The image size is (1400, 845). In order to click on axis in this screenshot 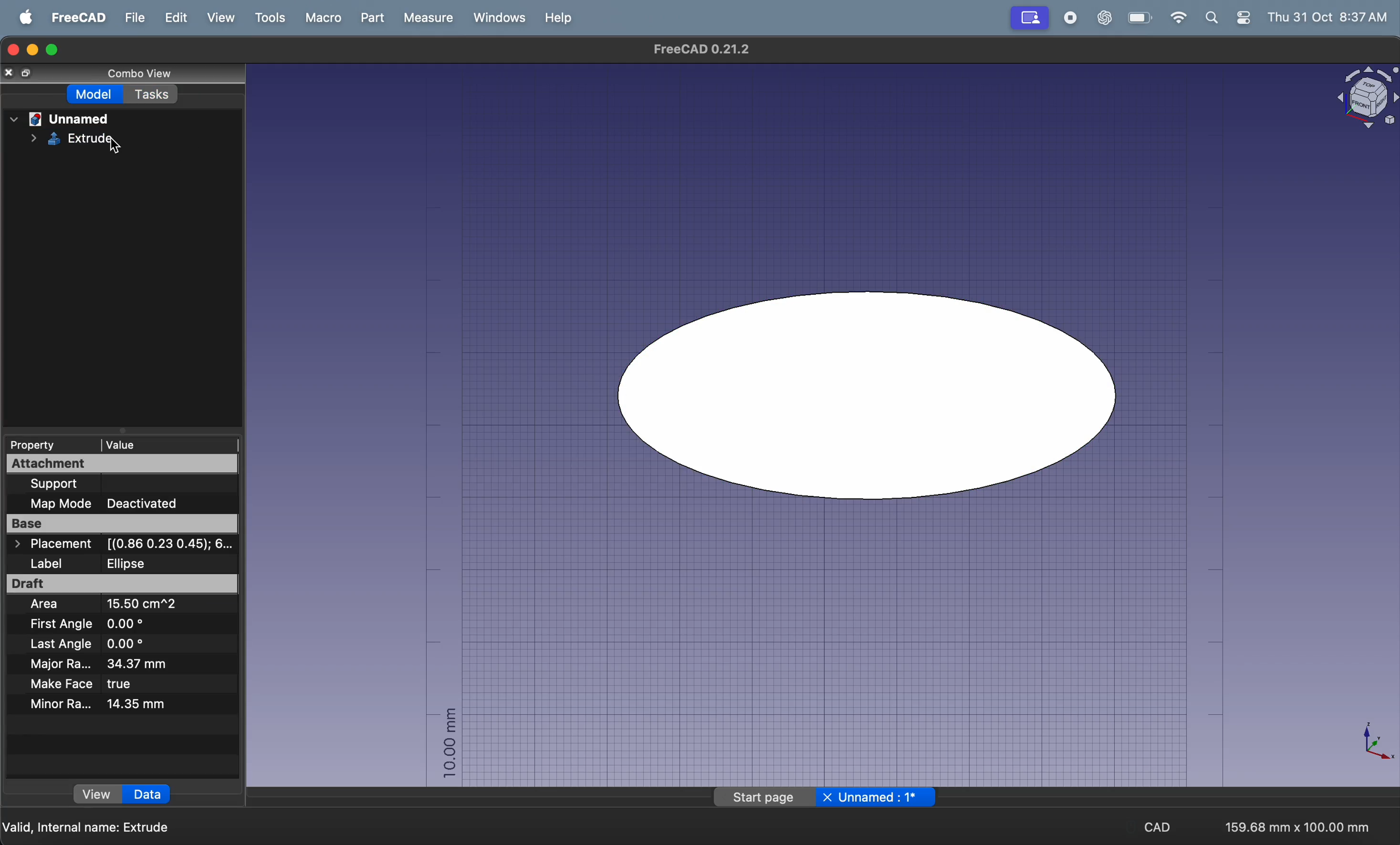, I will do `click(1370, 743)`.